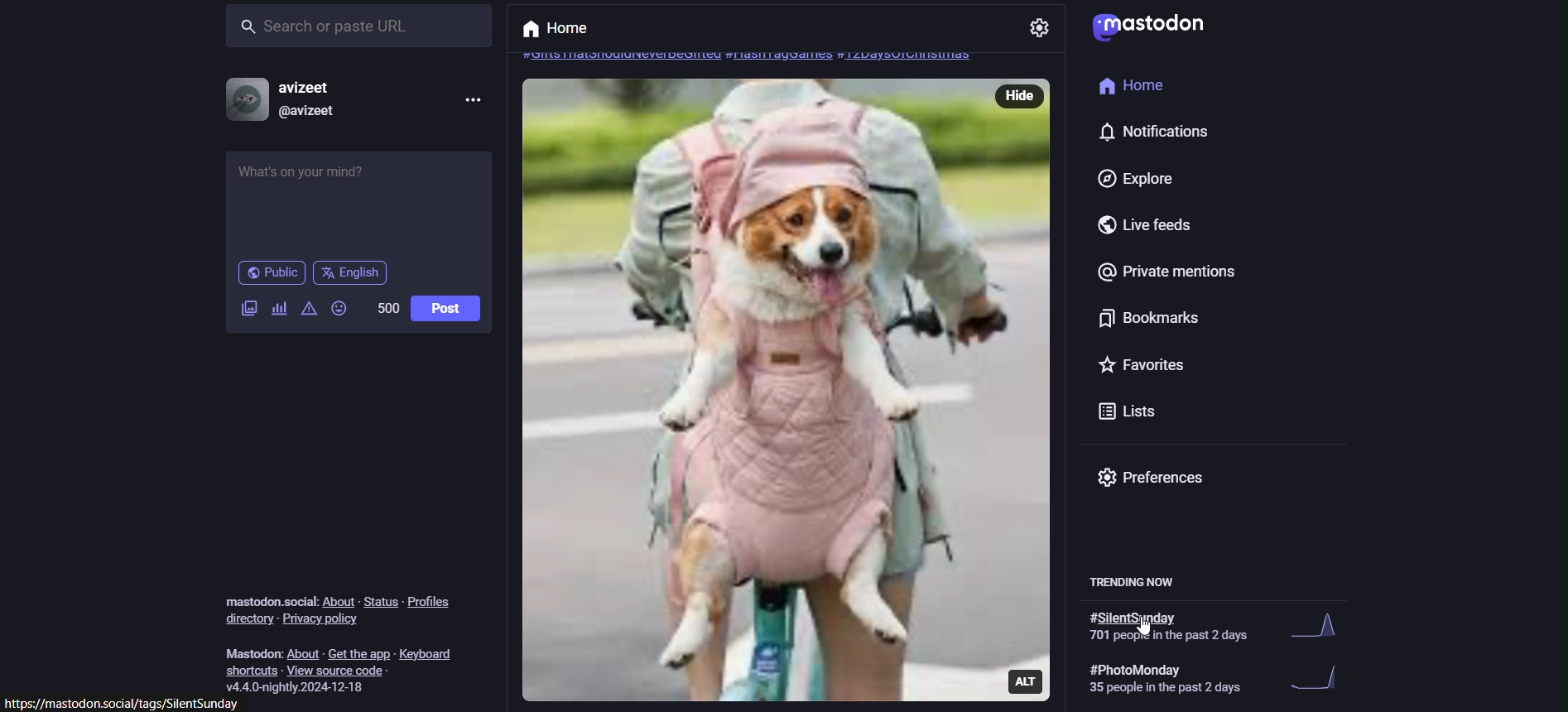  What do you see at coordinates (1128, 410) in the screenshot?
I see `Lists` at bounding box center [1128, 410].